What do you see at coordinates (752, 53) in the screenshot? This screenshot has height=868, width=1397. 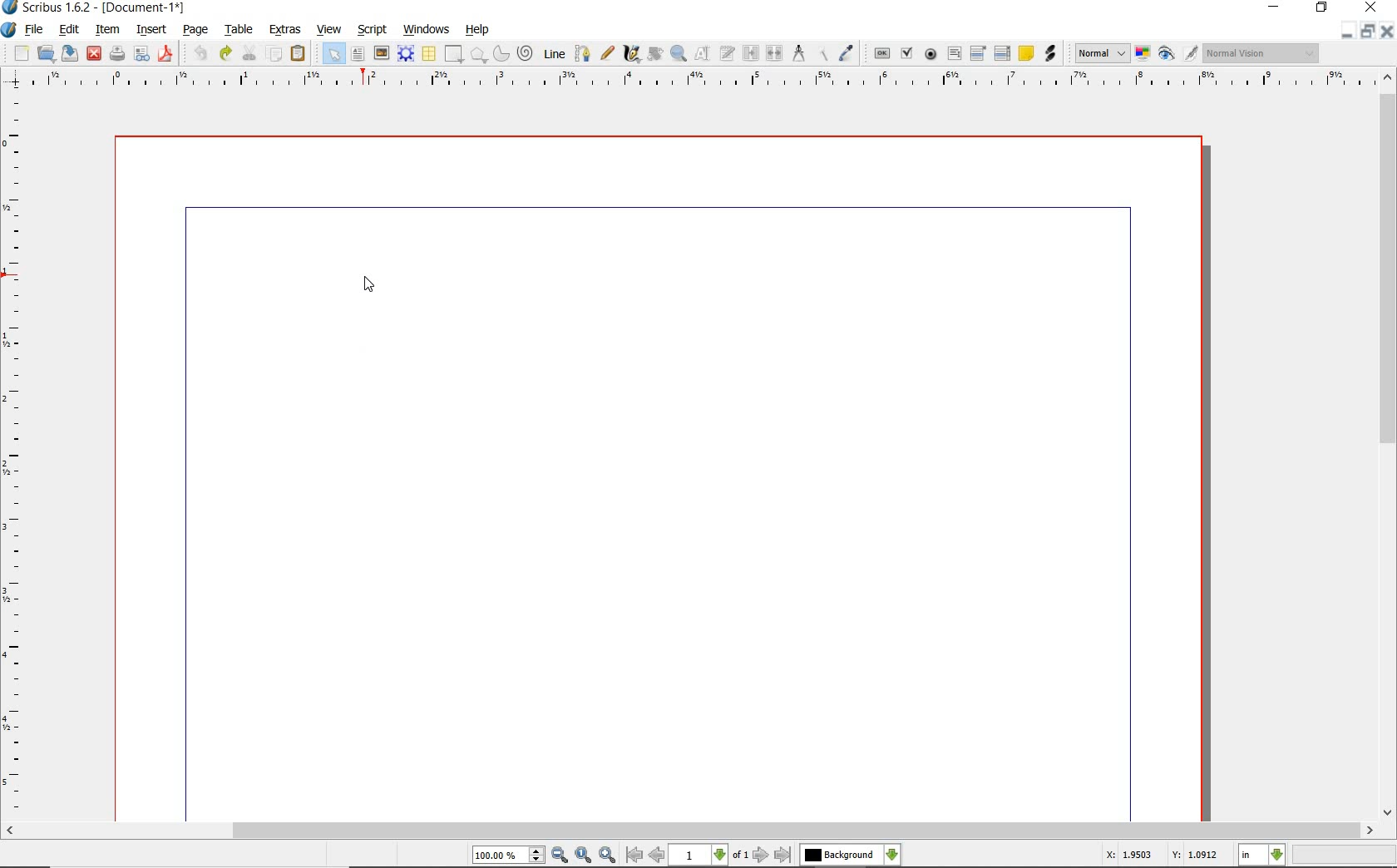 I see `link text frames` at bounding box center [752, 53].